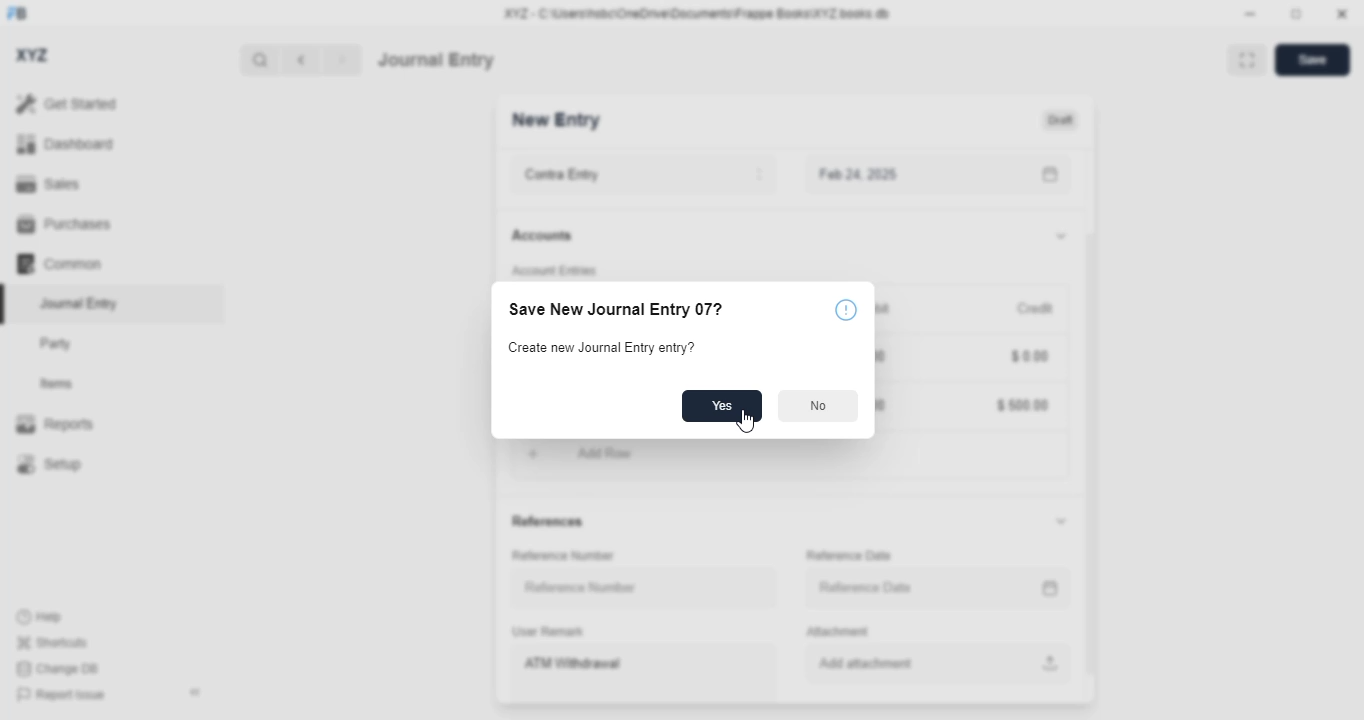 The height and width of the screenshot is (720, 1364). Describe the element at coordinates (645, 588) in the screenshot. I see `reference number` at that location.